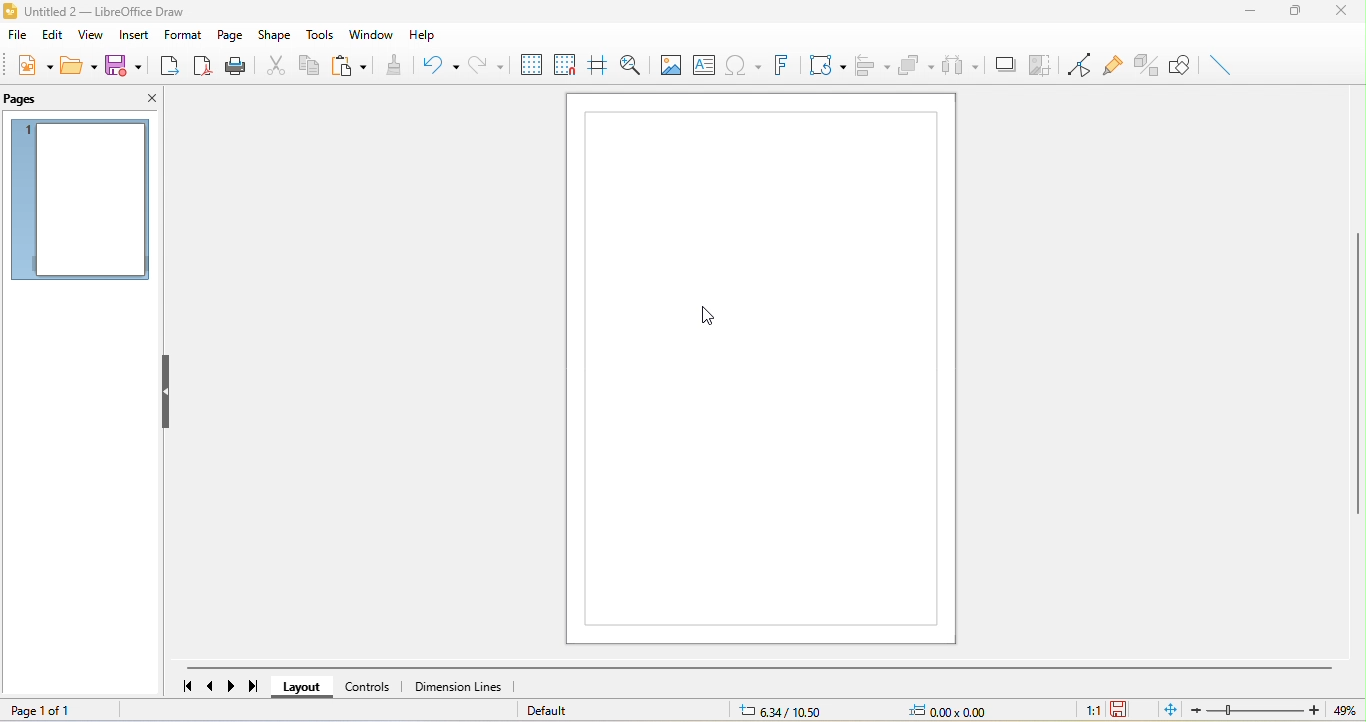  What do you see at coordinates (670, 64) in the screenshot?
I see `image` at bounding box center [670, 64].